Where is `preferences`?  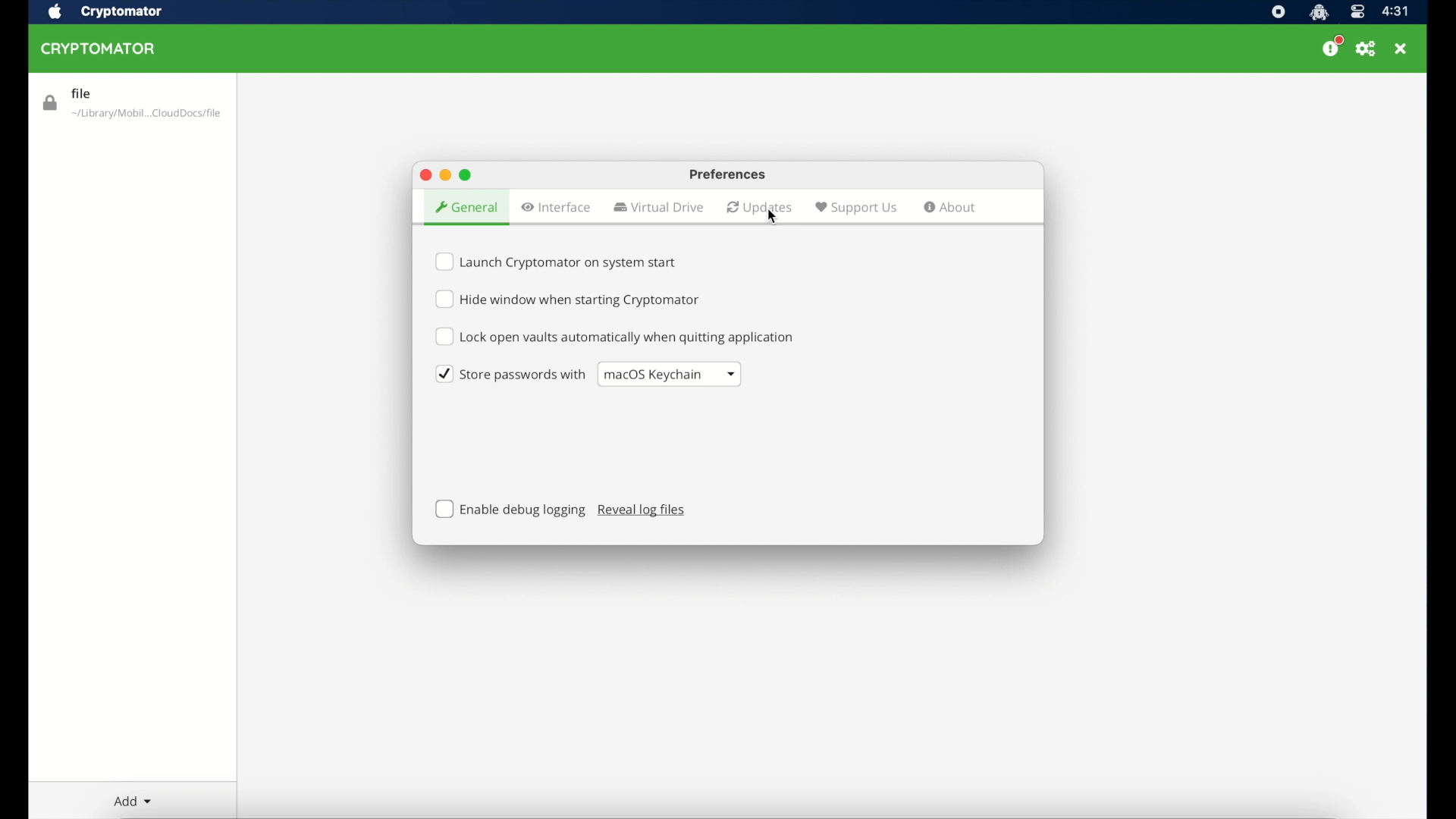
preferences is located at coordinates (727, 174).